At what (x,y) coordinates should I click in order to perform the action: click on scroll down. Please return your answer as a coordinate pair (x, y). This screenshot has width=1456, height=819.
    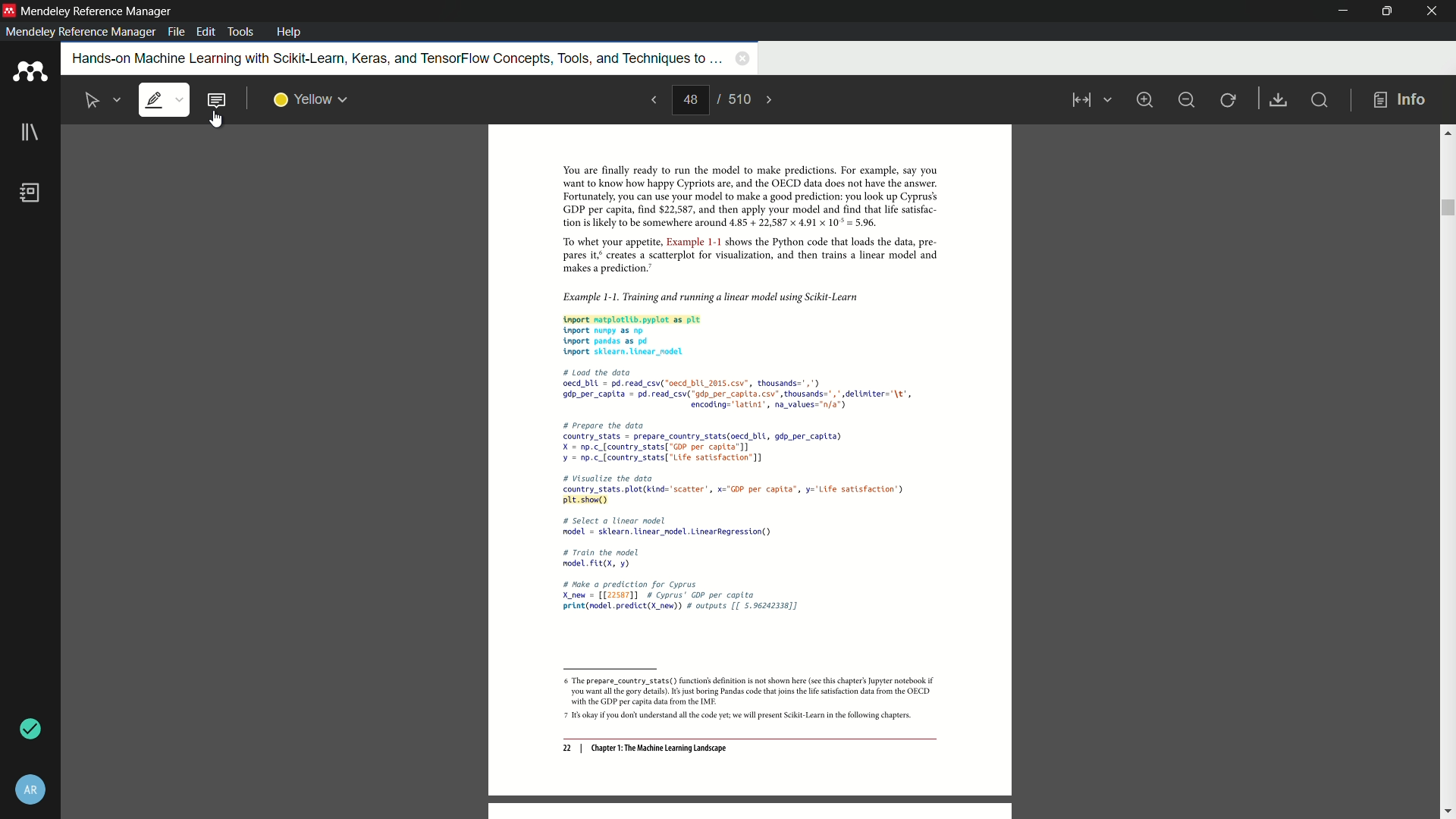
    Looking at the image, I should click on (1447, 812).